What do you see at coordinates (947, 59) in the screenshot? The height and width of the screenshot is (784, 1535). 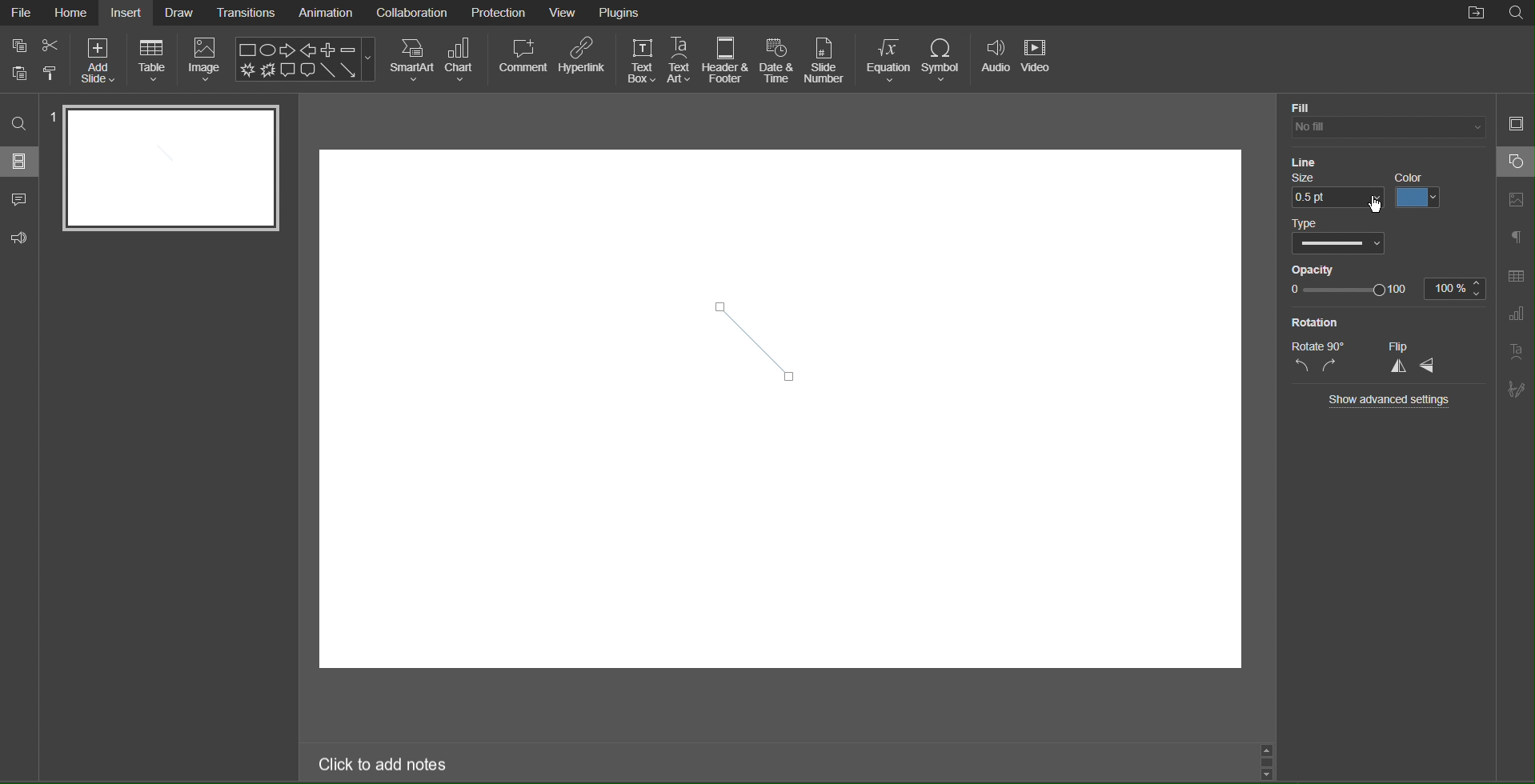 I see `Symbol` at bounding box center [947, 59].